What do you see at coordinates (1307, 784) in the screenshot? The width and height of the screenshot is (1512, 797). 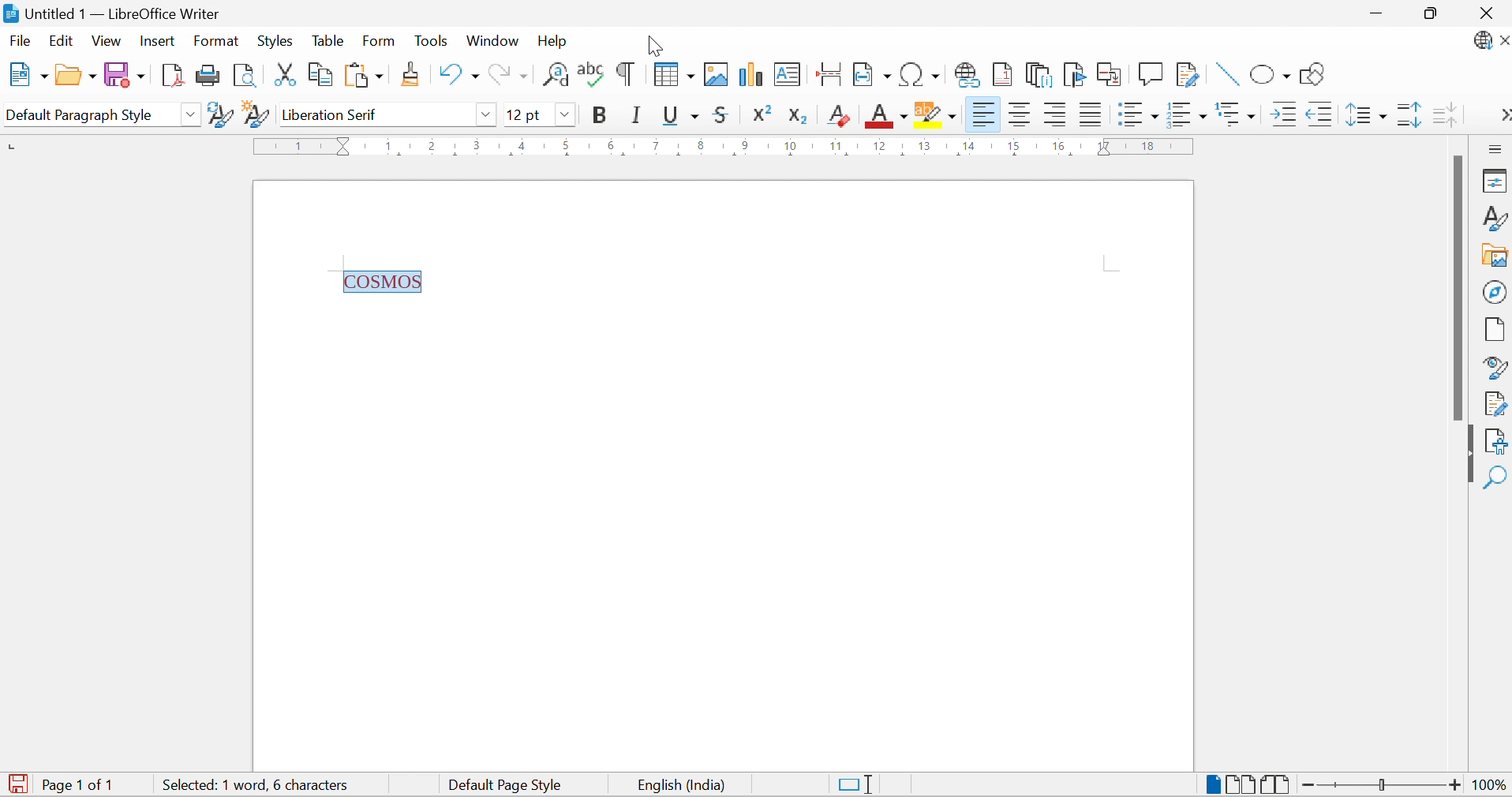 I see `Zoom Out` at bounding box center [1307, 784].